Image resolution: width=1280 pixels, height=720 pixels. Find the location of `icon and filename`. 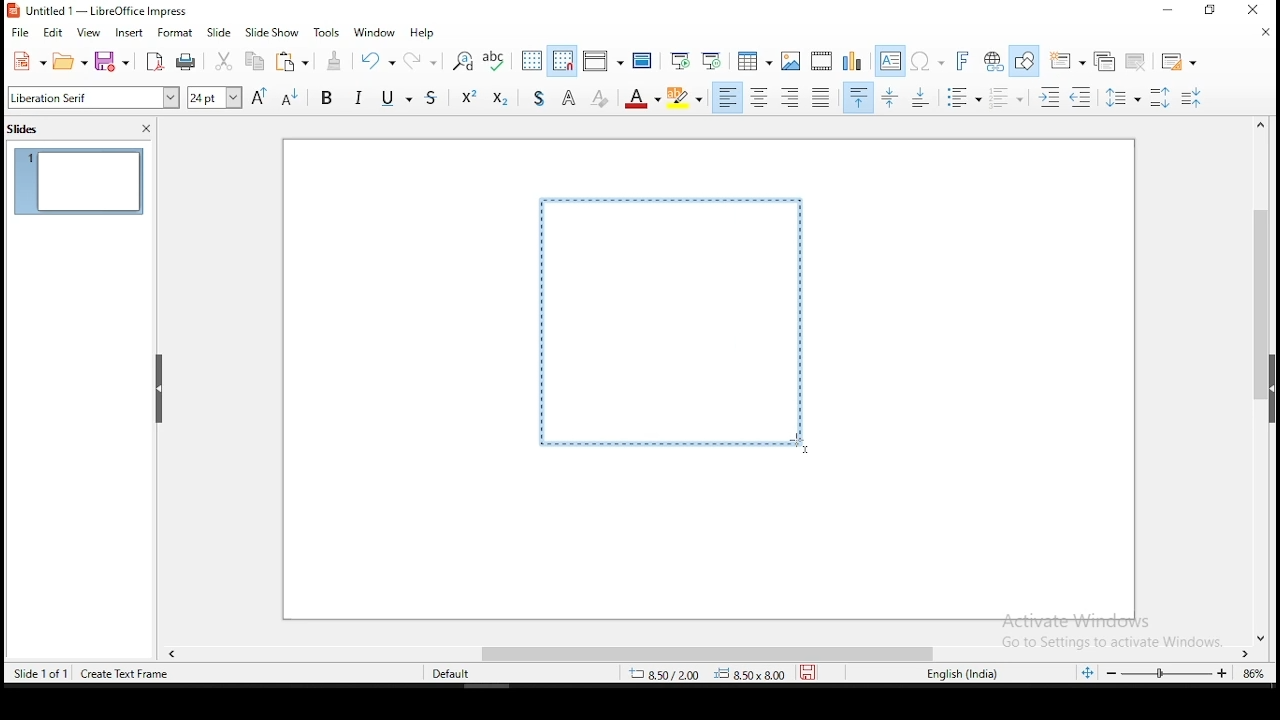

icon and filename is located at coordinates (104, 12).